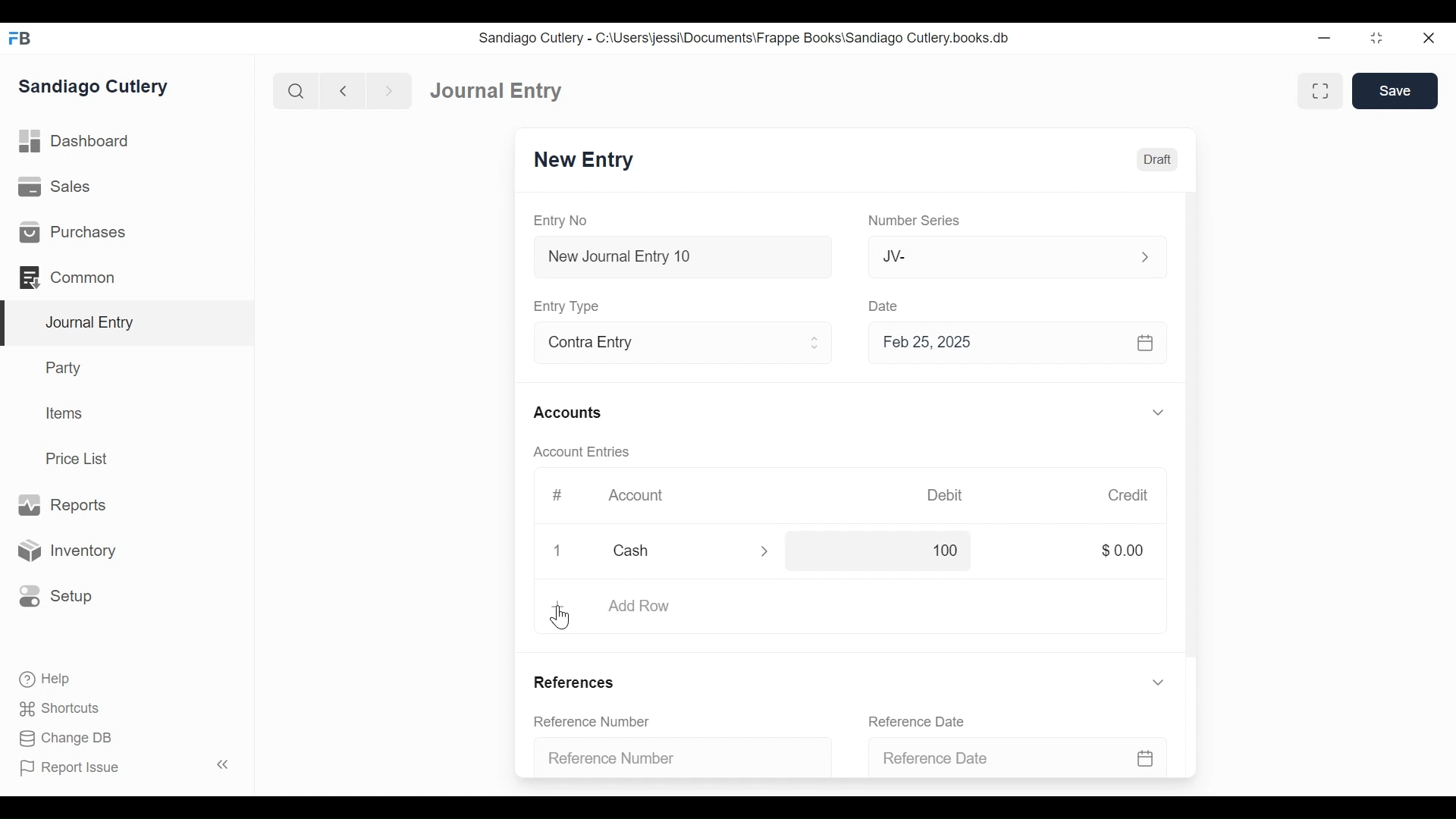 This screenshot has width=1456, height=819. Describe the element at coordinates (80, 458) in the screenshot. I see `Price List` at that location.